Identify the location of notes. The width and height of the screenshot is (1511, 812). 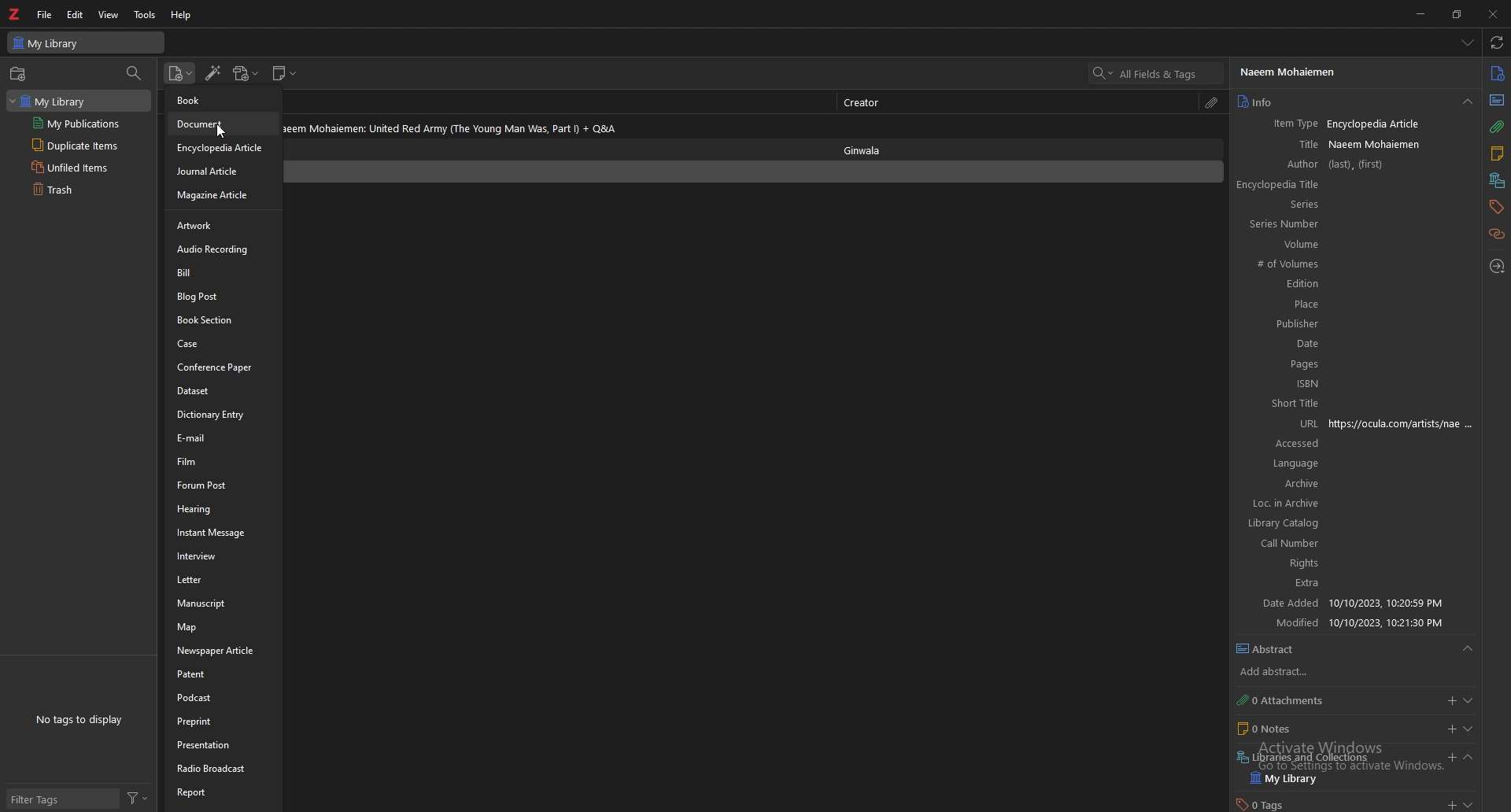
(1497, 154).